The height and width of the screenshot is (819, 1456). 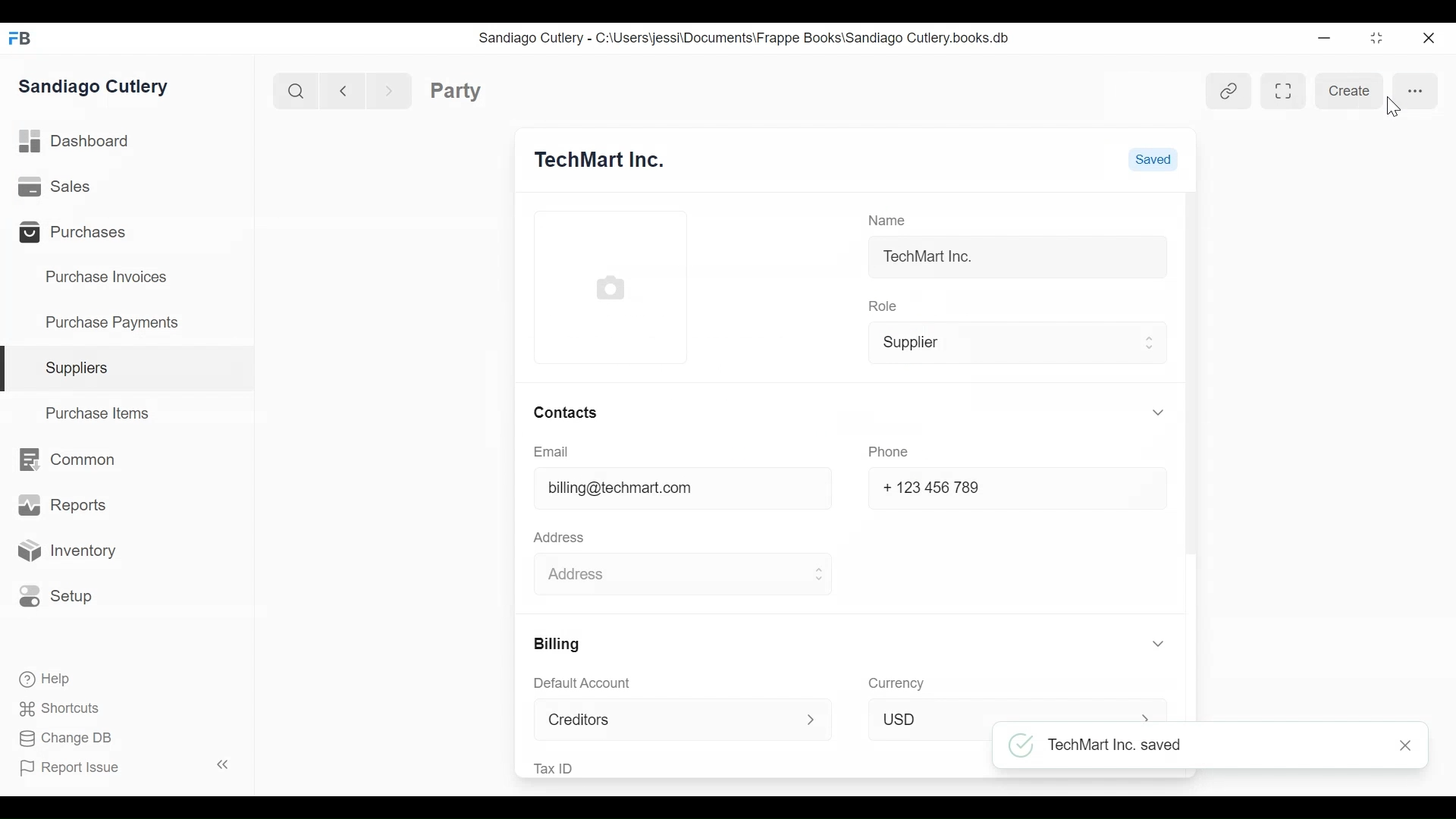 I want to click on Billing, so click(x=560, y=645).